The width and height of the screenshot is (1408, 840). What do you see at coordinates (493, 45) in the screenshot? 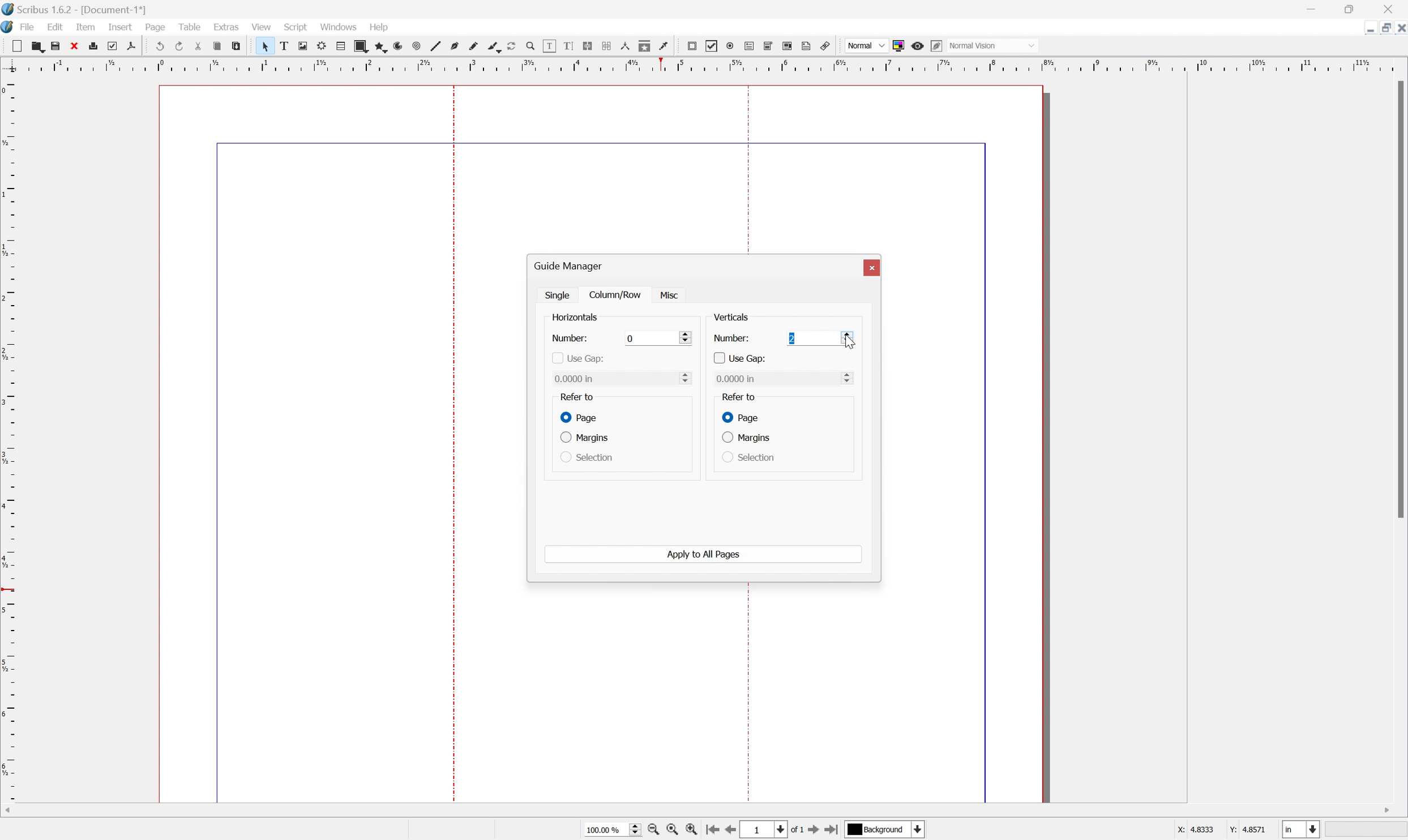
I see `calligraphic line` at bounding box center [493, 45].